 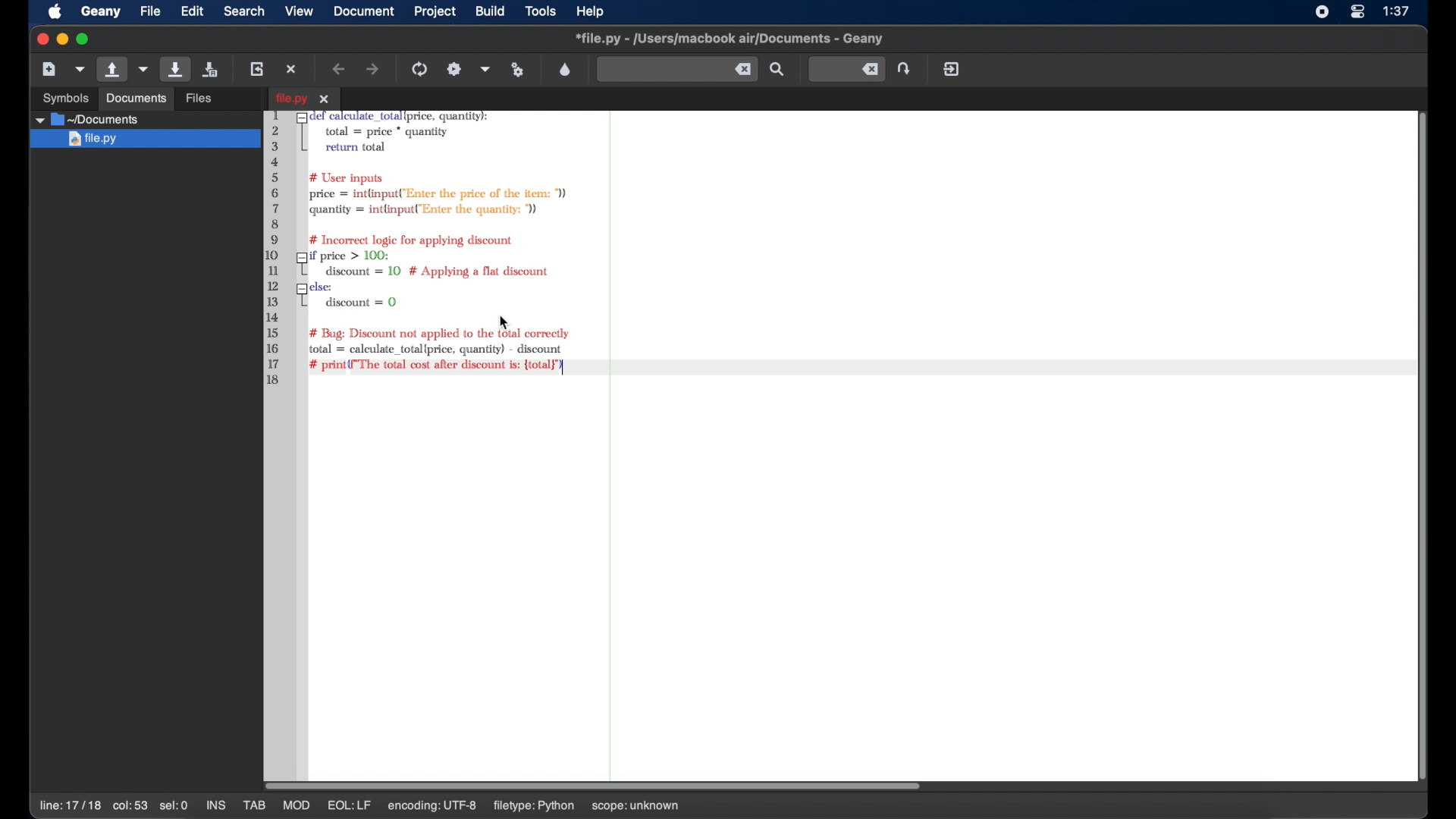 I want to click on code line commented, so click(x=438, y=366).